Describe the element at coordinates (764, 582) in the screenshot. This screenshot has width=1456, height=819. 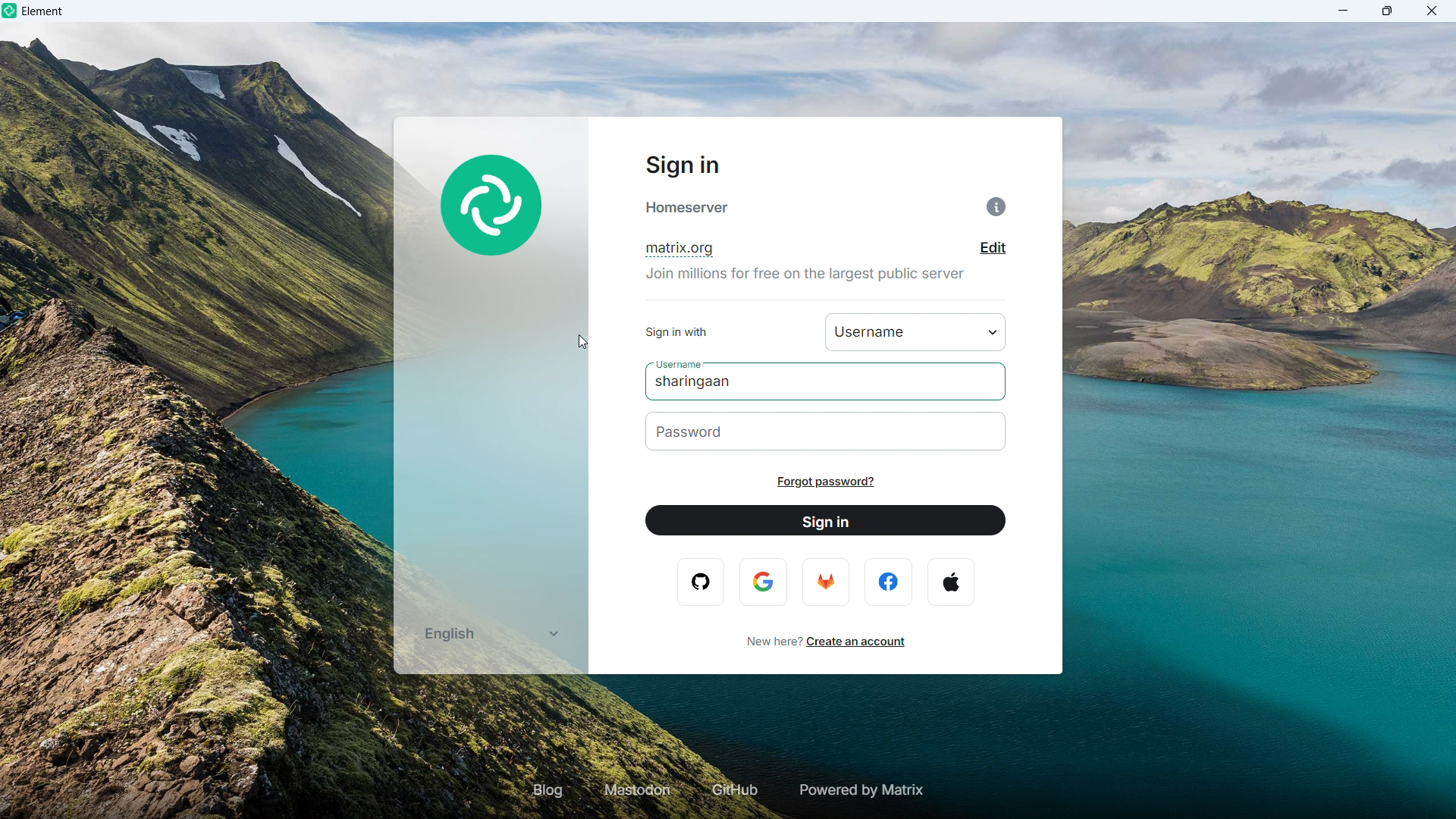
I see `google logo` at that location.